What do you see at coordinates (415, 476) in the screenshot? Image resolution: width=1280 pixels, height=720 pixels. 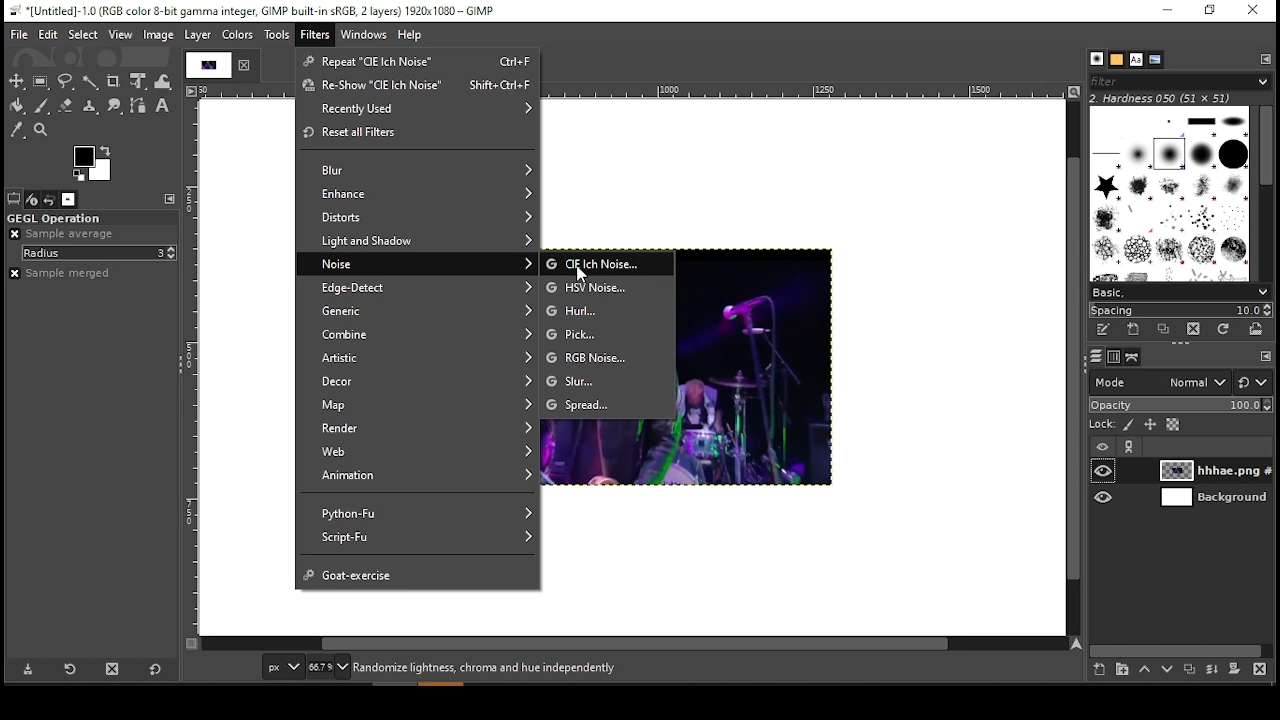 I see `animation` at bounding box center [415, 476].